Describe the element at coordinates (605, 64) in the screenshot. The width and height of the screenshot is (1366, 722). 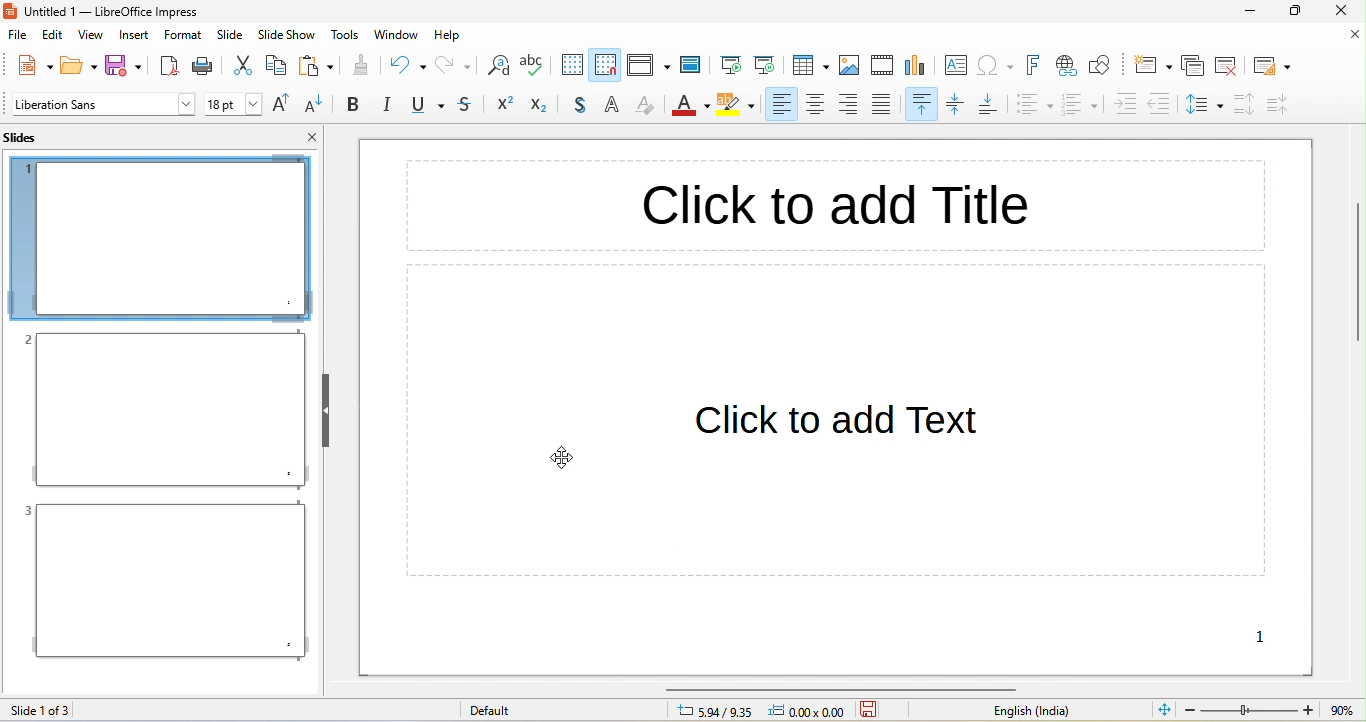
I see `snap to grid` at that location.